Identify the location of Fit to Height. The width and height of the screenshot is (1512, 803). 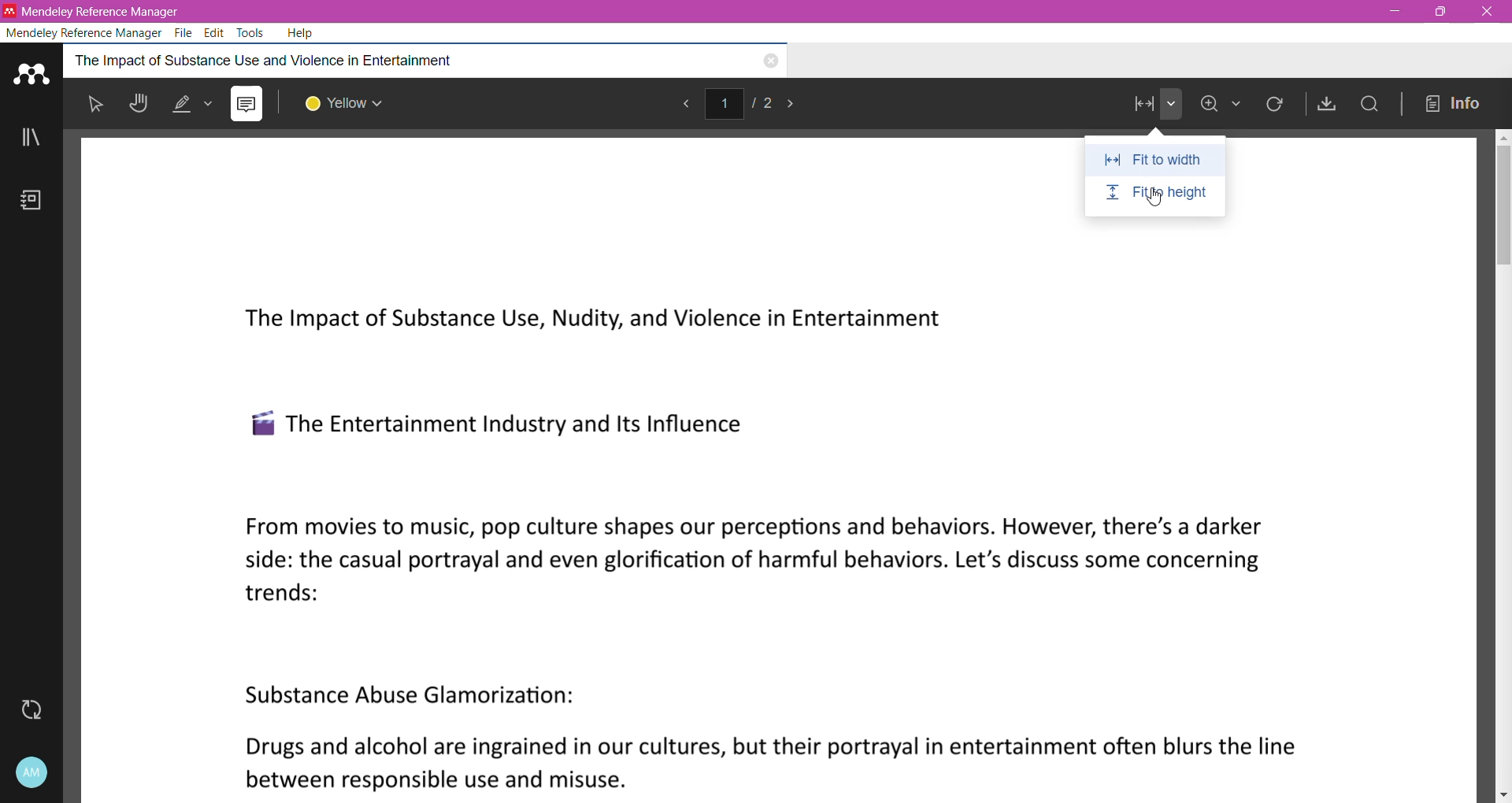
(1158, 194).